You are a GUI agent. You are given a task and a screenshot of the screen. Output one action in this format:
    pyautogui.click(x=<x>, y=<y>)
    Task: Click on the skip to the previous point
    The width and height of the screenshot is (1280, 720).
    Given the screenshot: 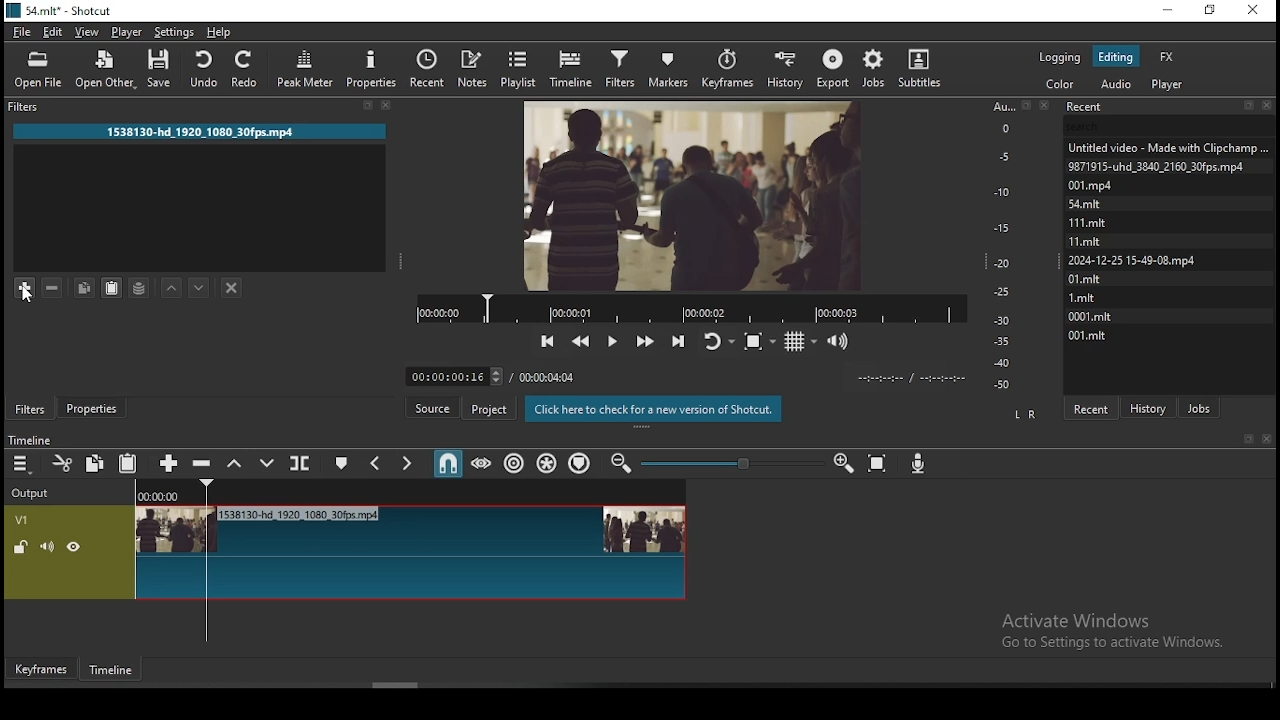 What is the action you would take?
    pyautogui.click(x=546, y=340)
    